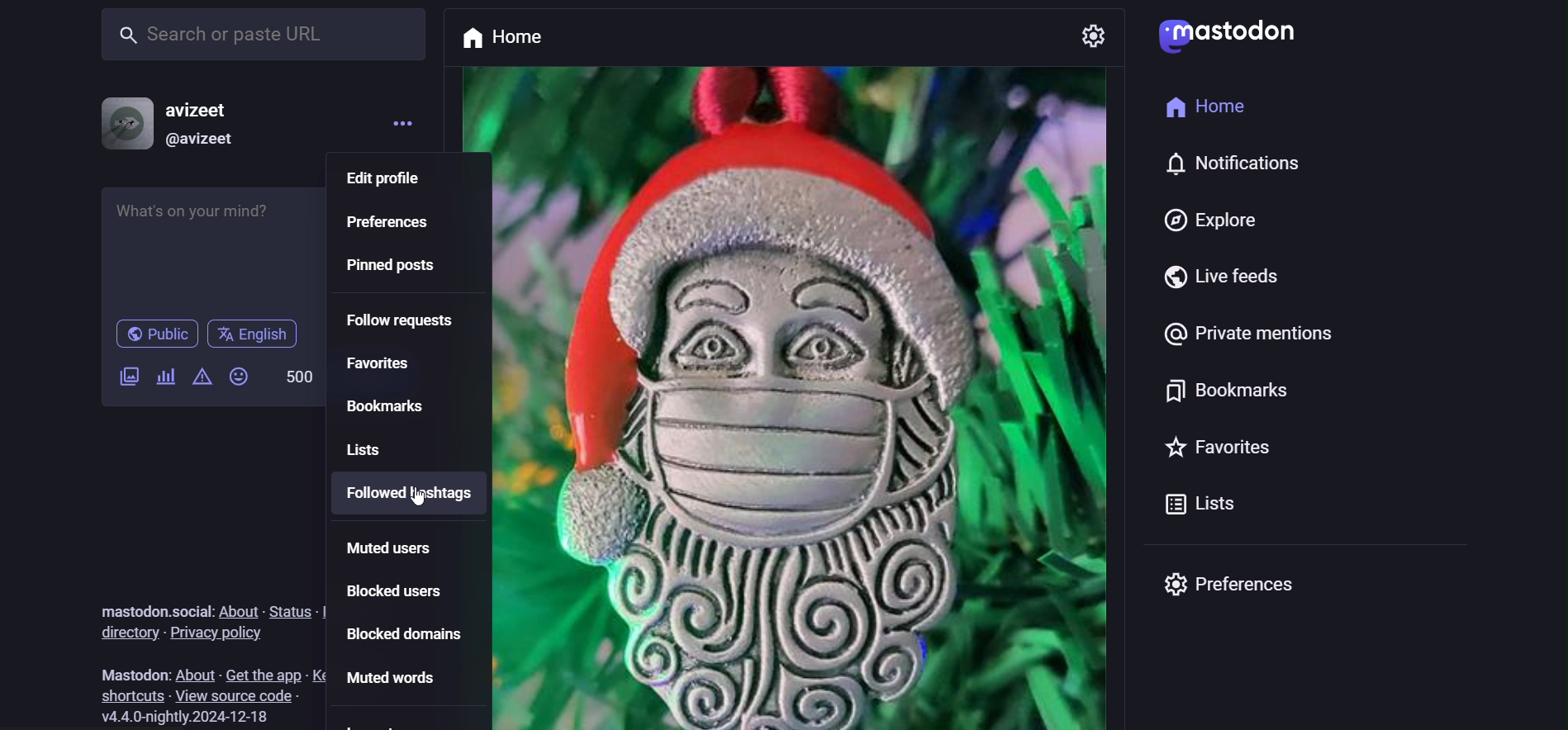 The height and width of the screenshot is (730, 1568). Describe the element at coordinates (116, 122) in the screenshot. I see `profile picture` at that location.